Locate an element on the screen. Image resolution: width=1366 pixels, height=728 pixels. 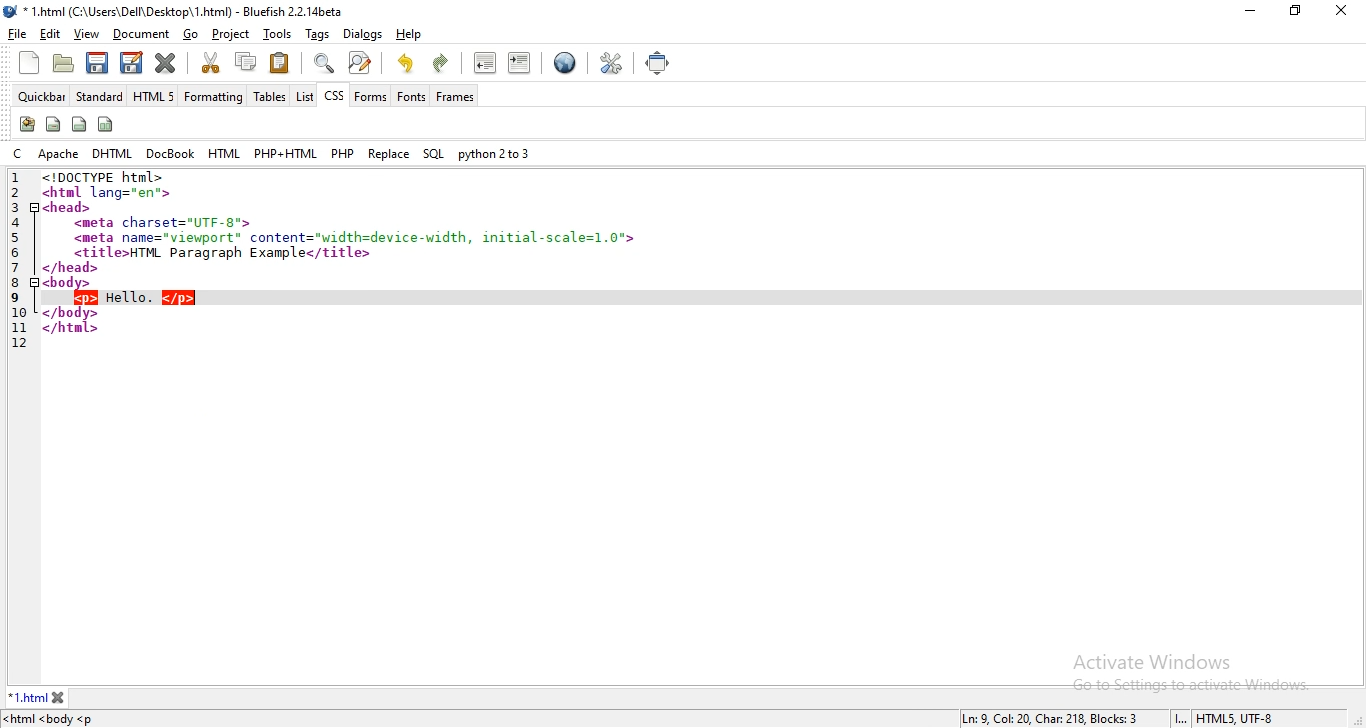
SQL is located at coordinates (434, 154).